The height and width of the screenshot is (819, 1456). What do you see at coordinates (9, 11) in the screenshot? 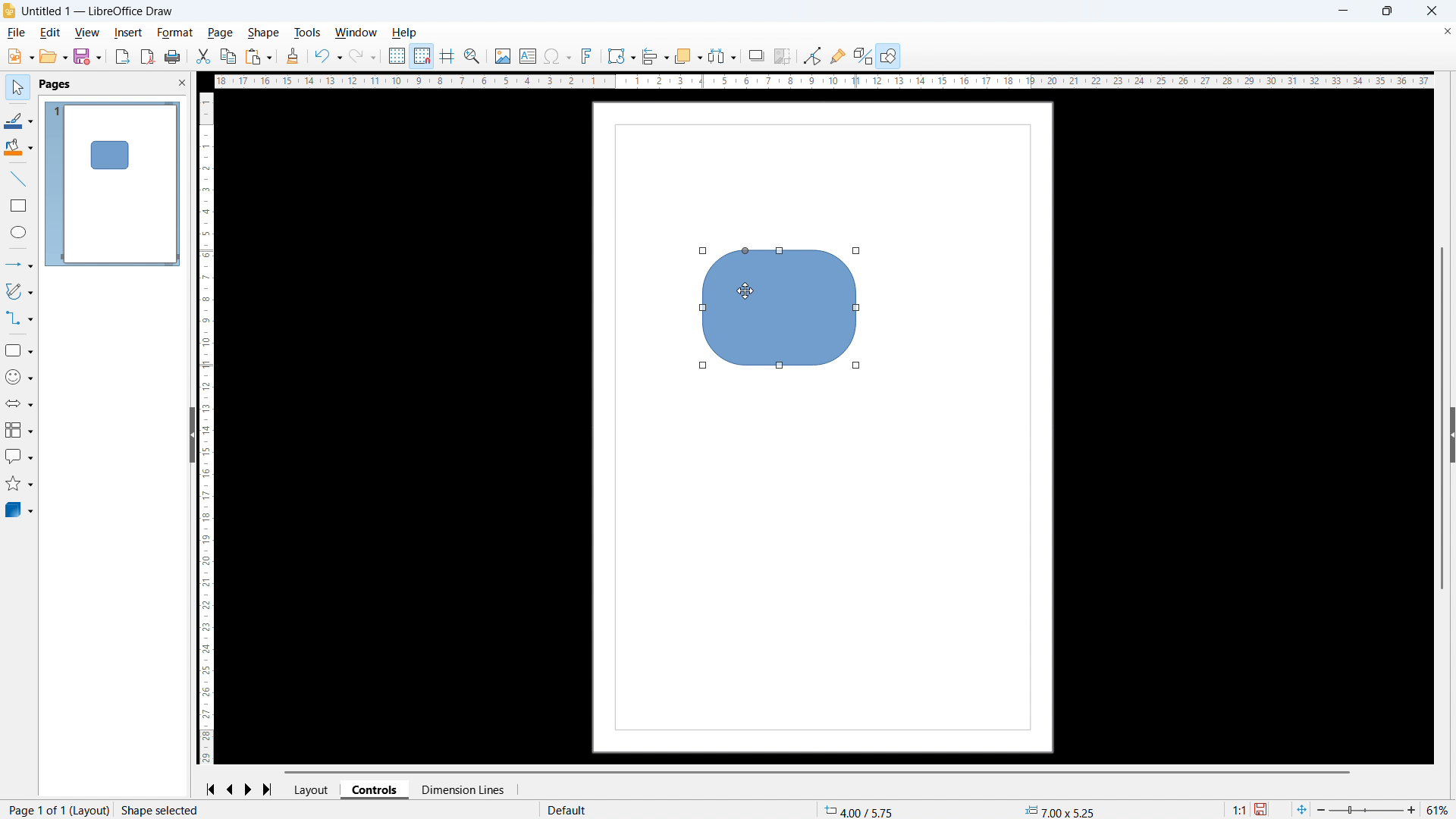
I see `Logo ` at bounding box center [9, 11].